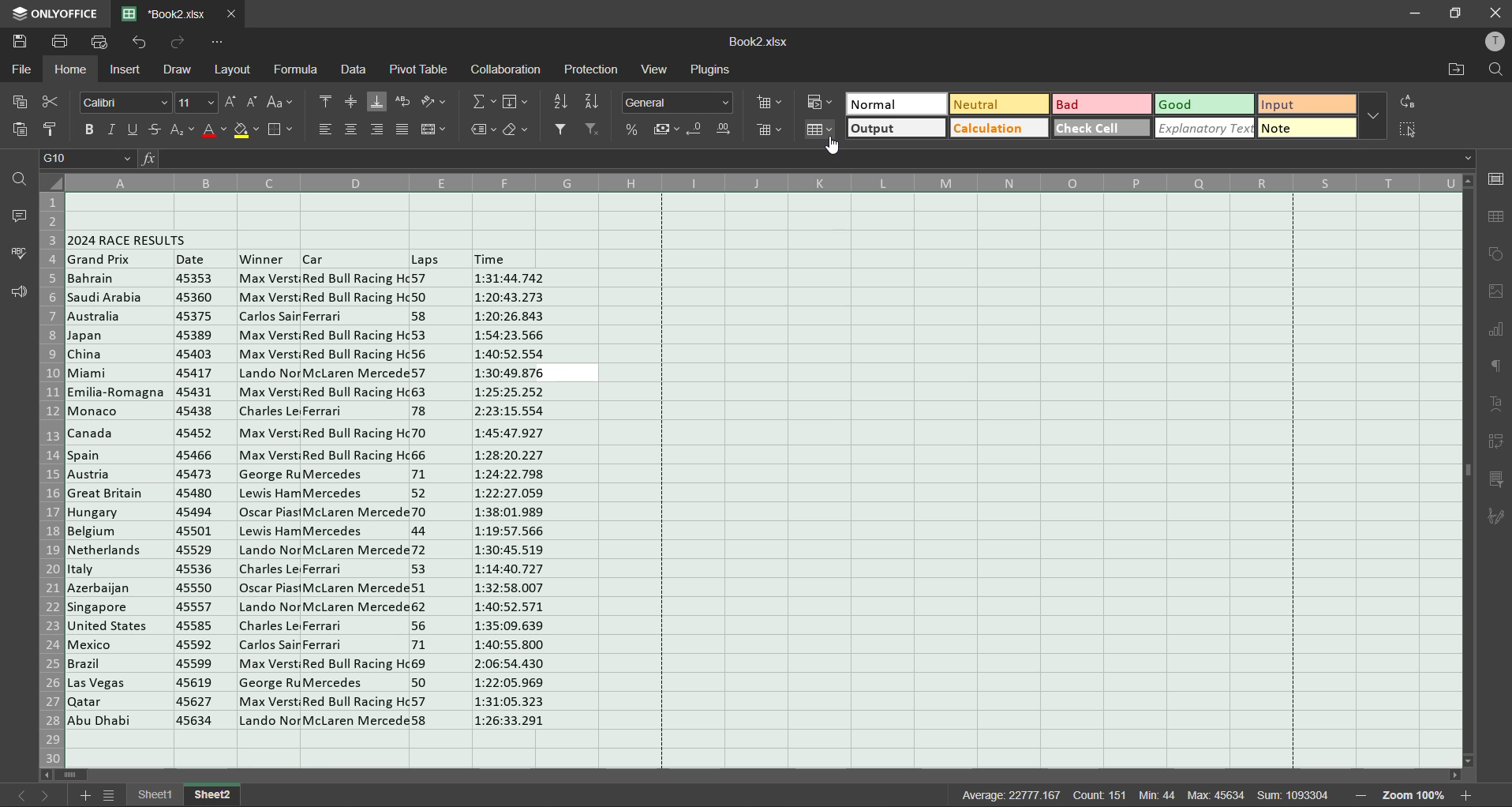 This screenshot has height=807, width=1512. I want to click on previous, so click(15, 794).